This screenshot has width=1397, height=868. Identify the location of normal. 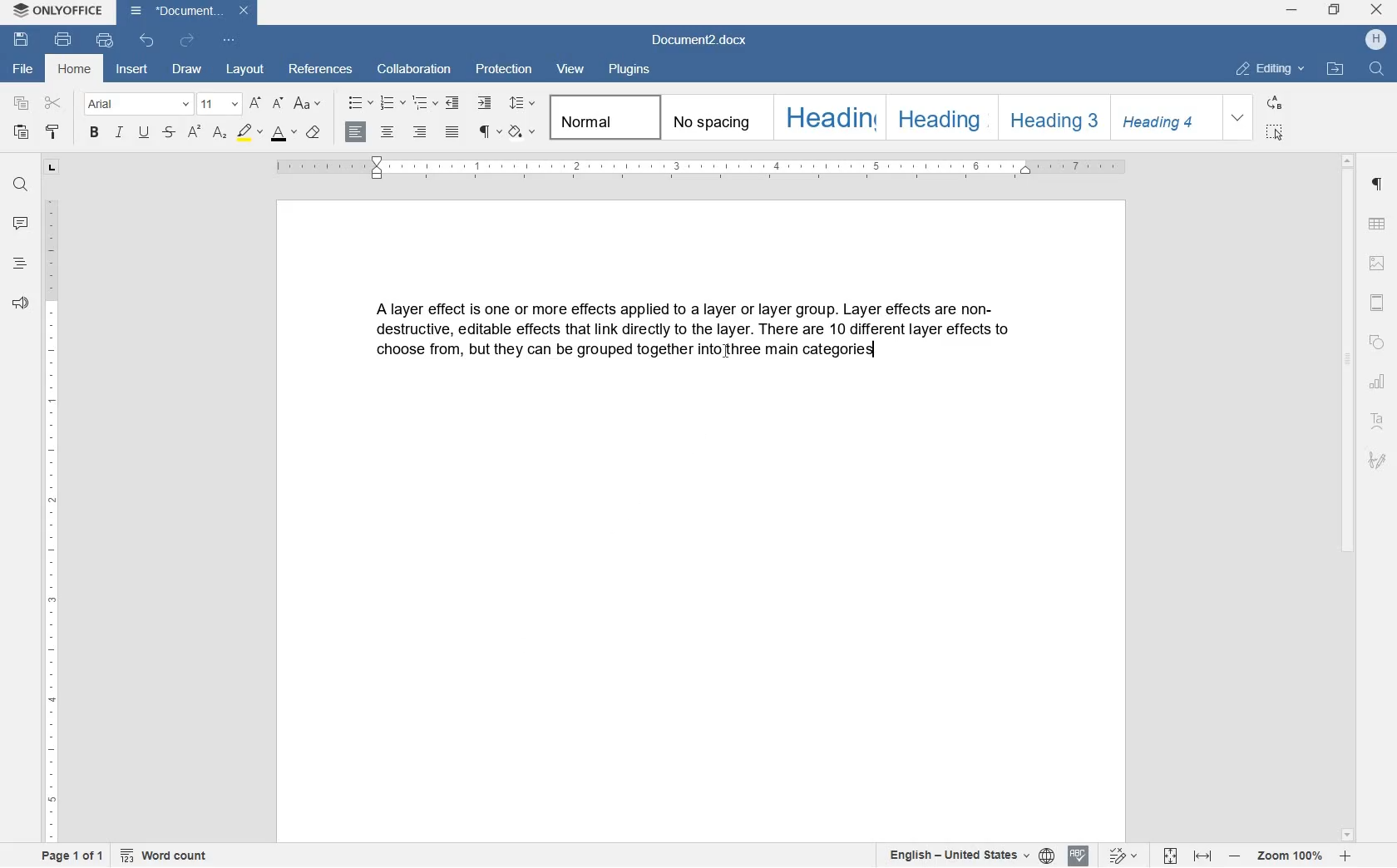
(601, 117).